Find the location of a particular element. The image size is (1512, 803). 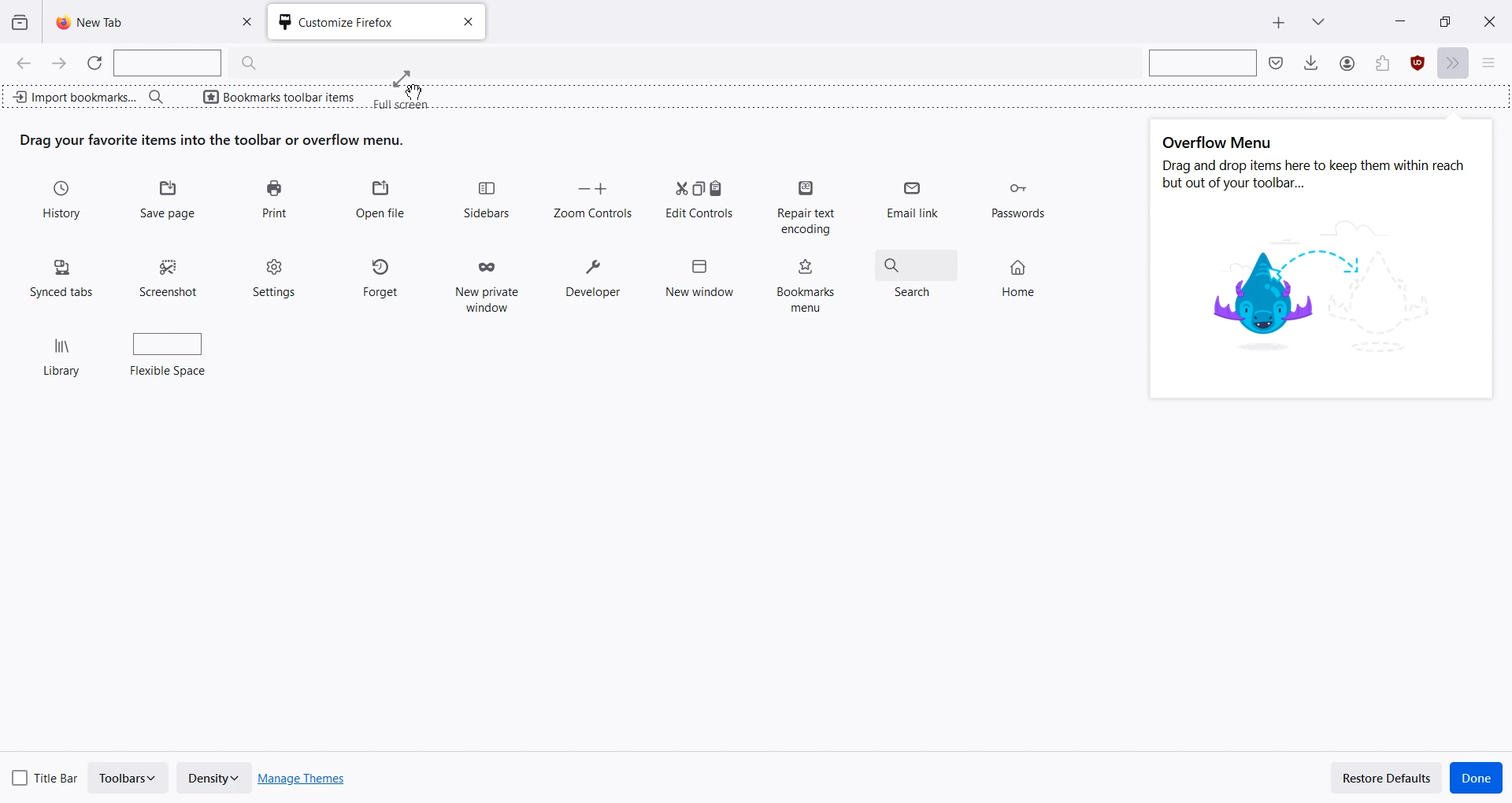

Account is located at coordinates (1382, 64).